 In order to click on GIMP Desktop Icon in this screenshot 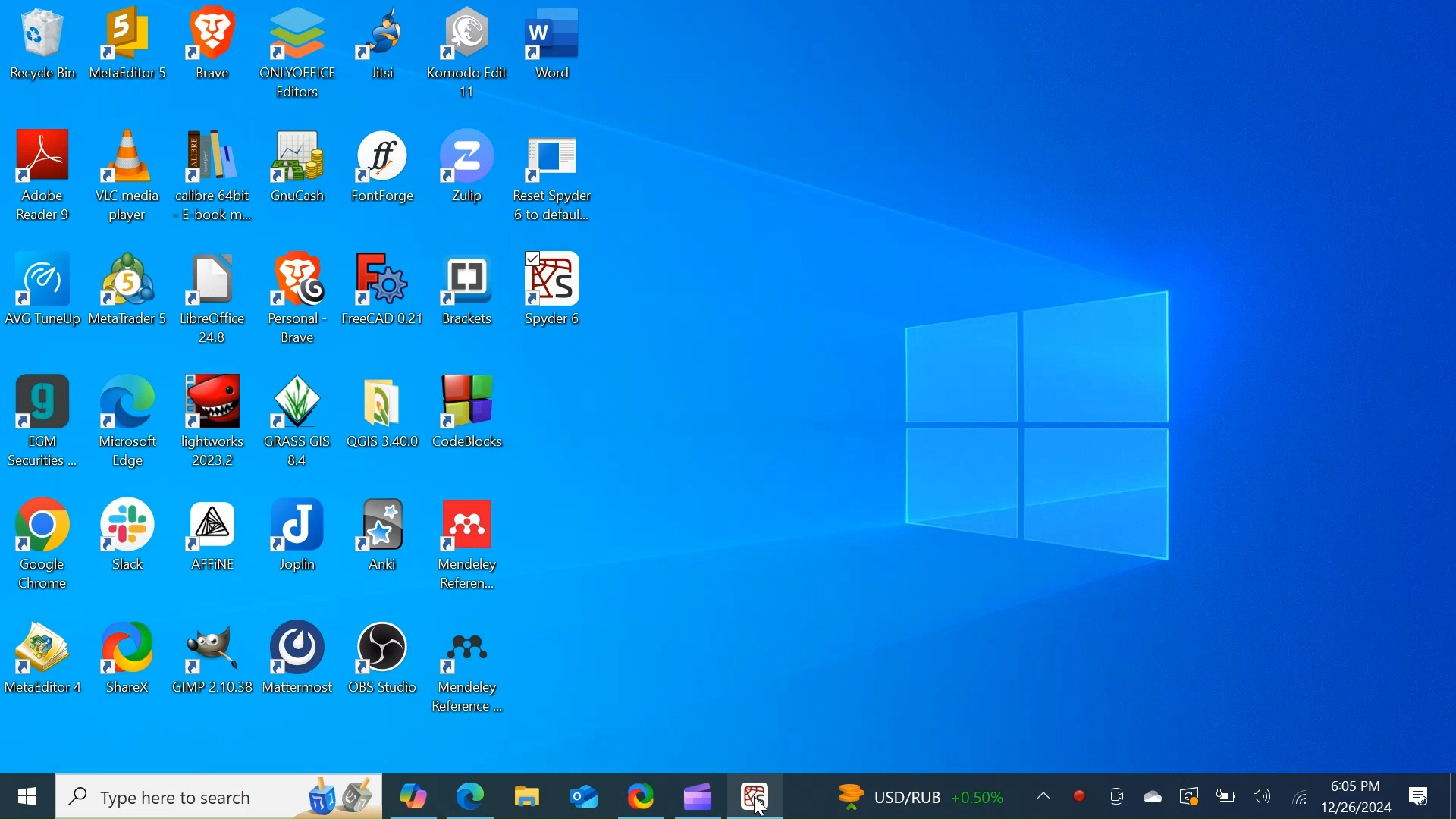, I will do `click(210, 664)`.